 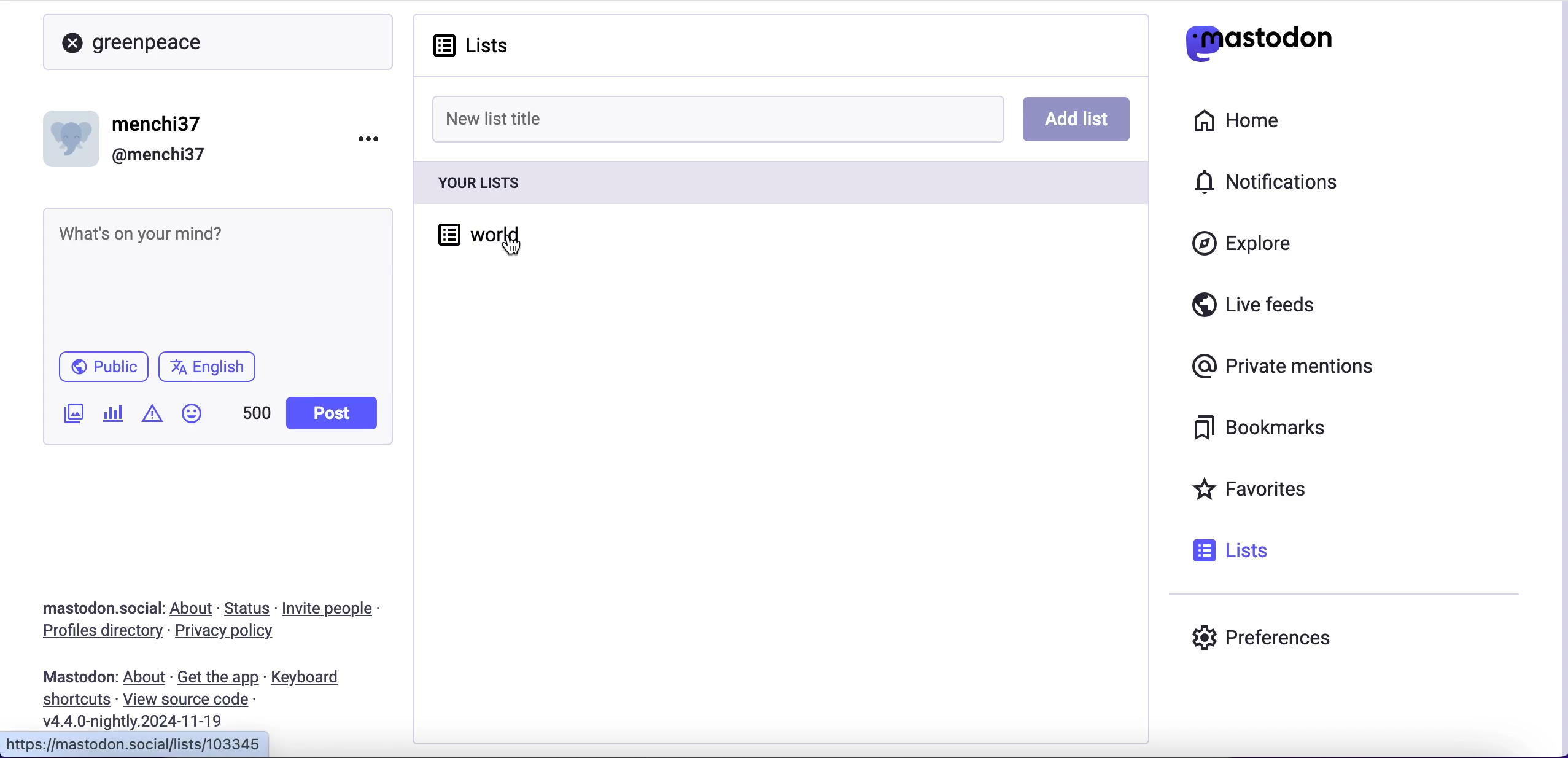 I want to click on add content warning, so click(x=155, y=415).